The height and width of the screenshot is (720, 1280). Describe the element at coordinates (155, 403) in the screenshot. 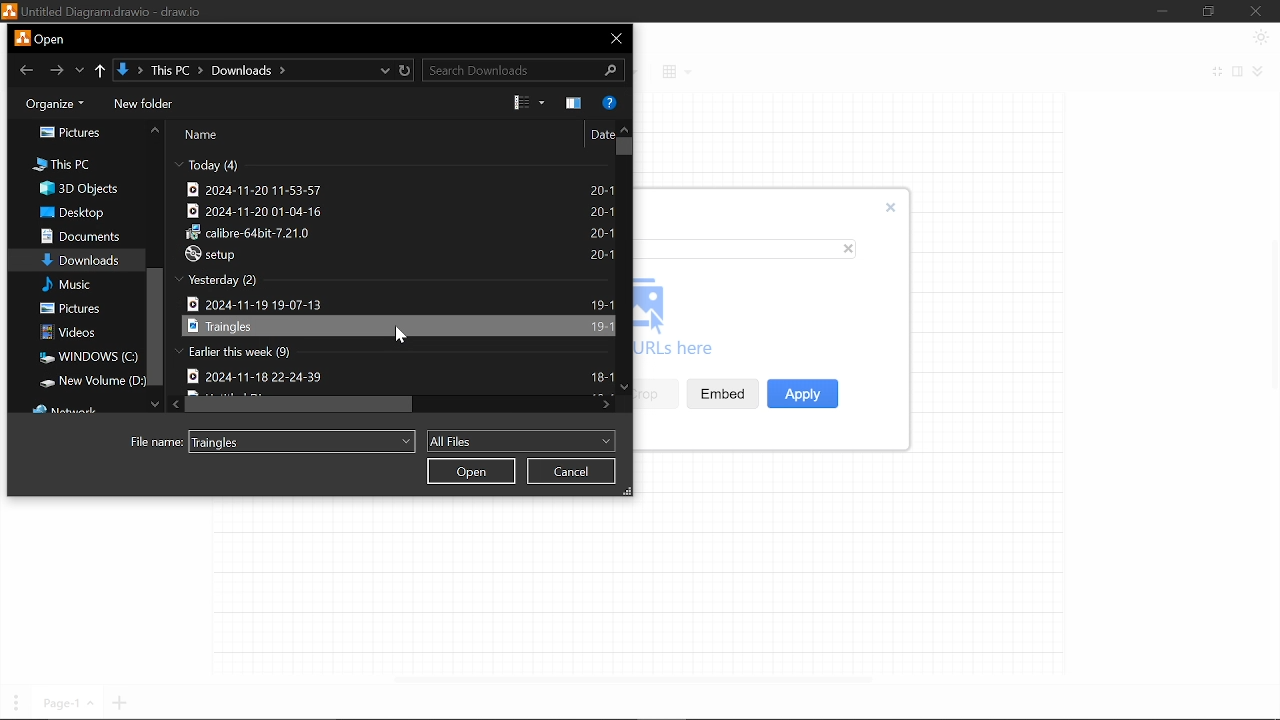

I see `Move down in folders` at that location.